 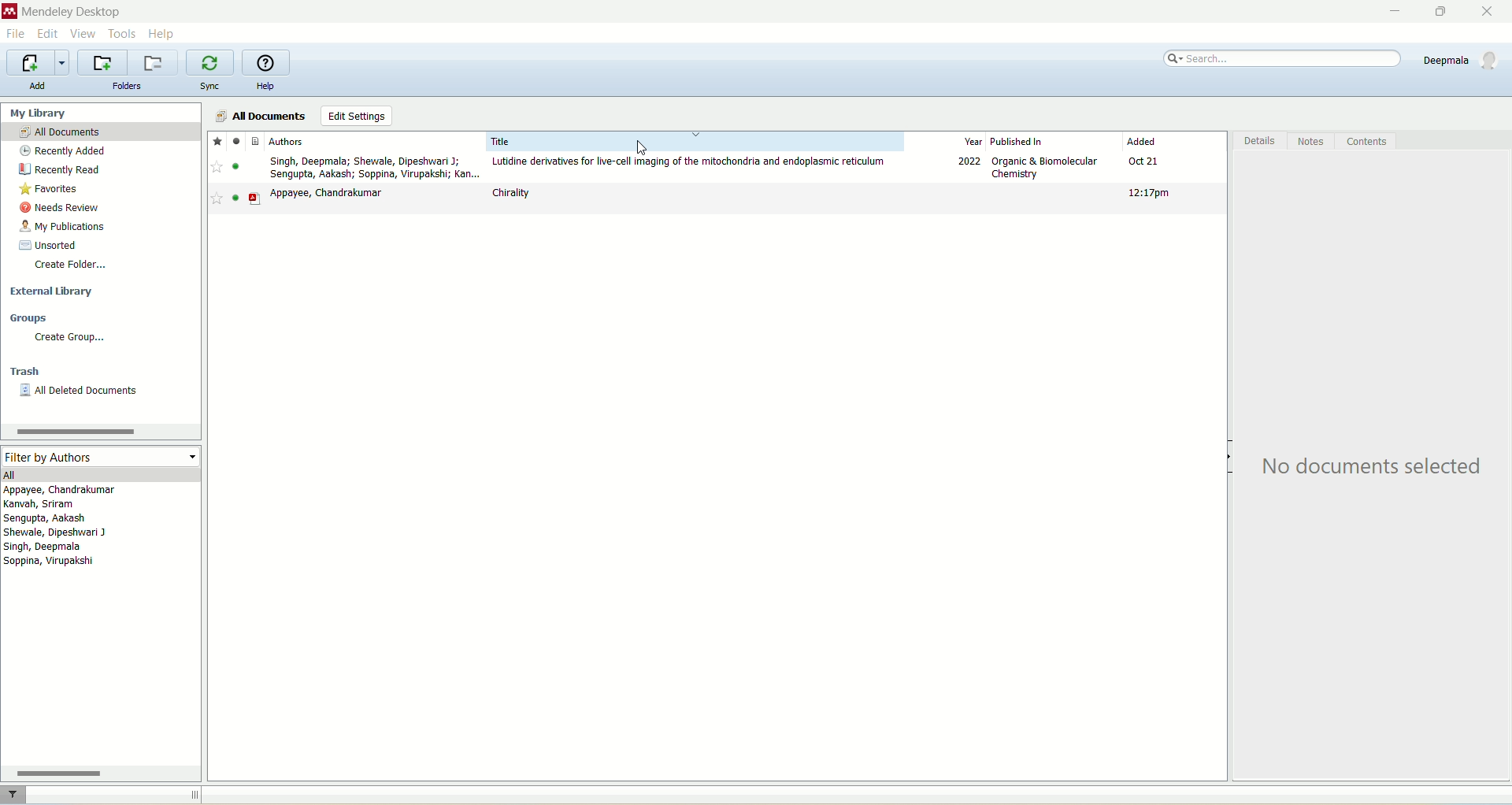 I want to click on favorite, so click(x=216, y=140).